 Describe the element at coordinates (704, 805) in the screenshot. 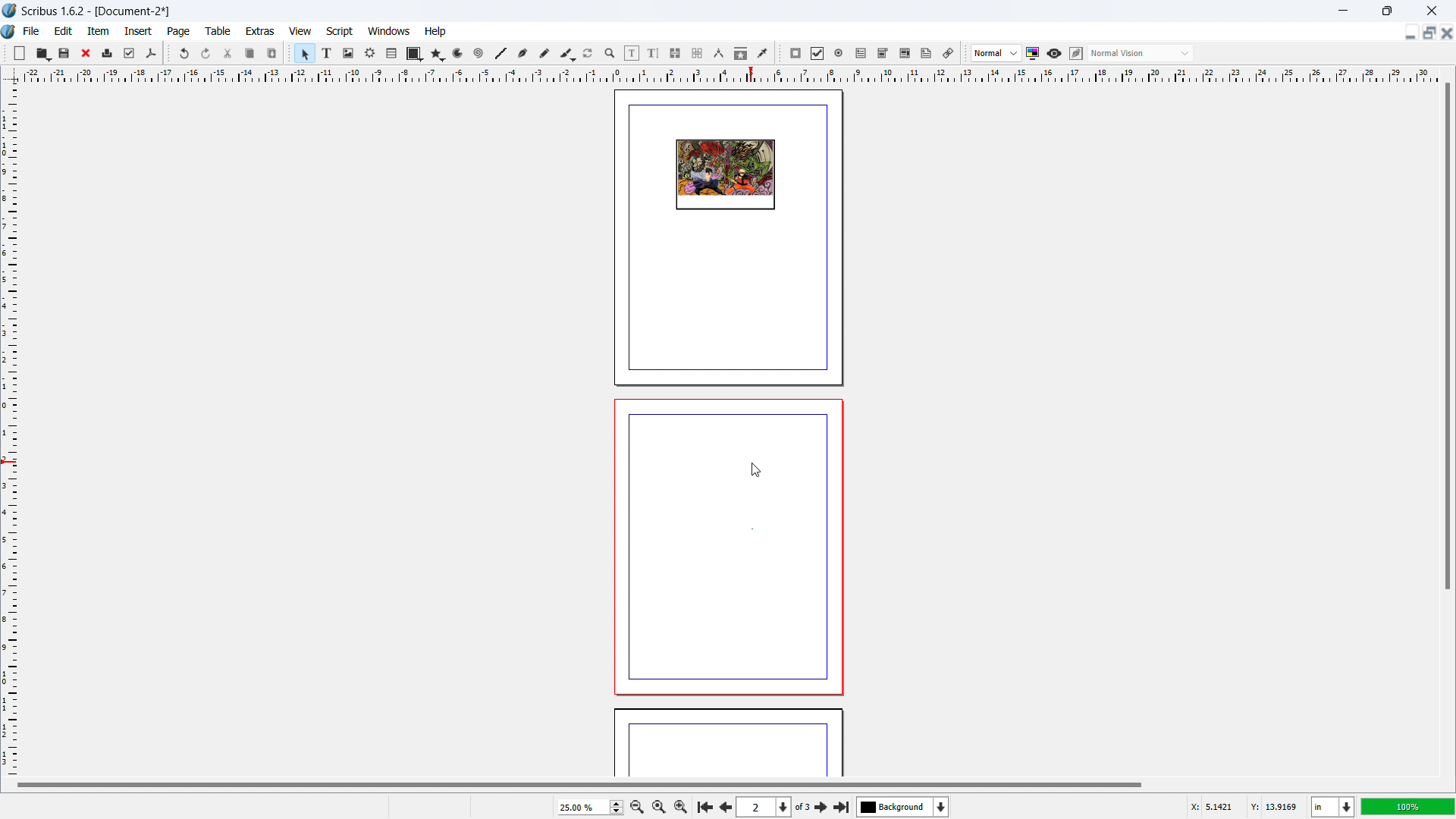

I see `first page` at that location.